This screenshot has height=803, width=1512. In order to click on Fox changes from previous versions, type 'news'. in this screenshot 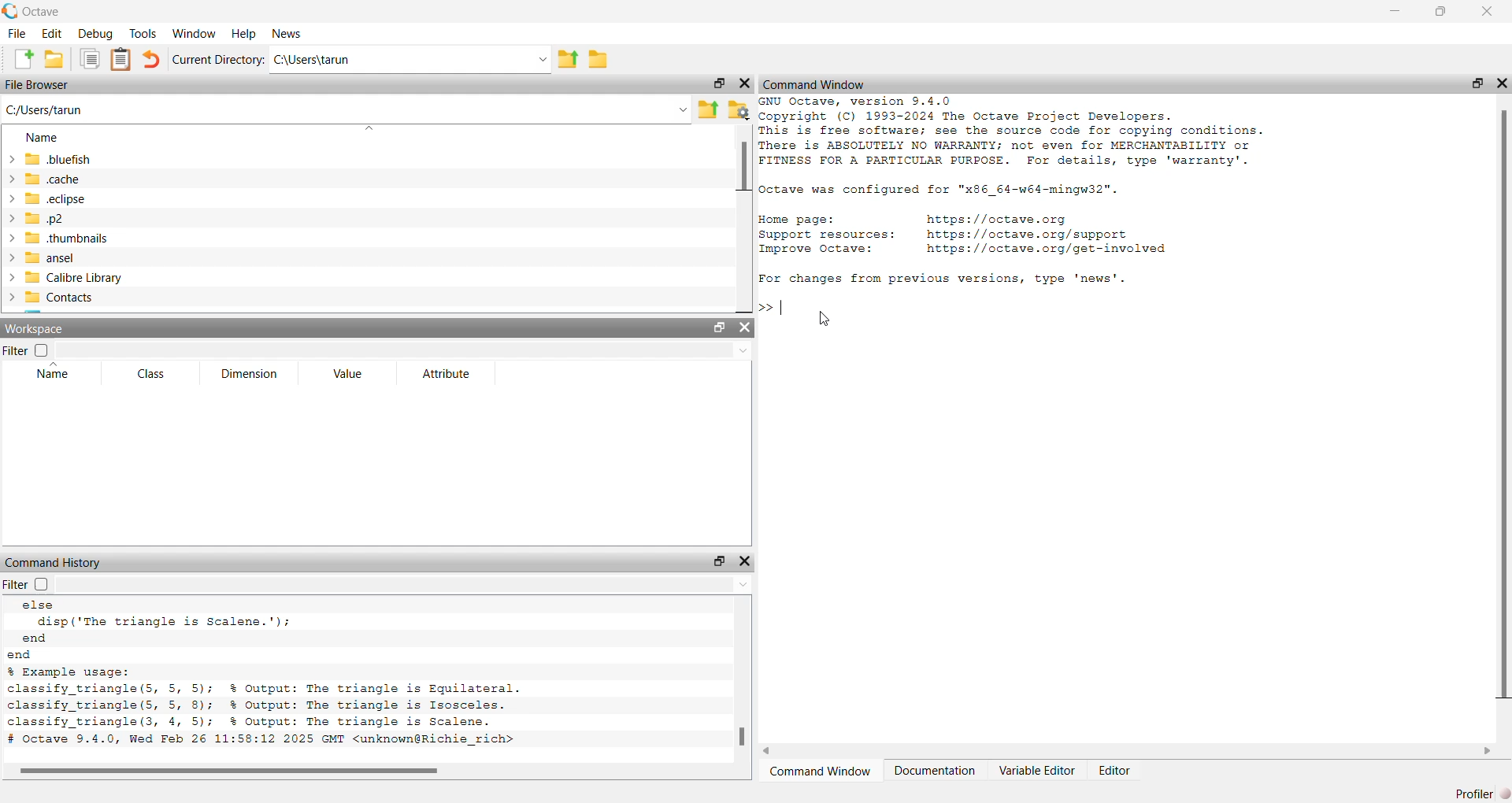, I will do `click(947, 280)`.